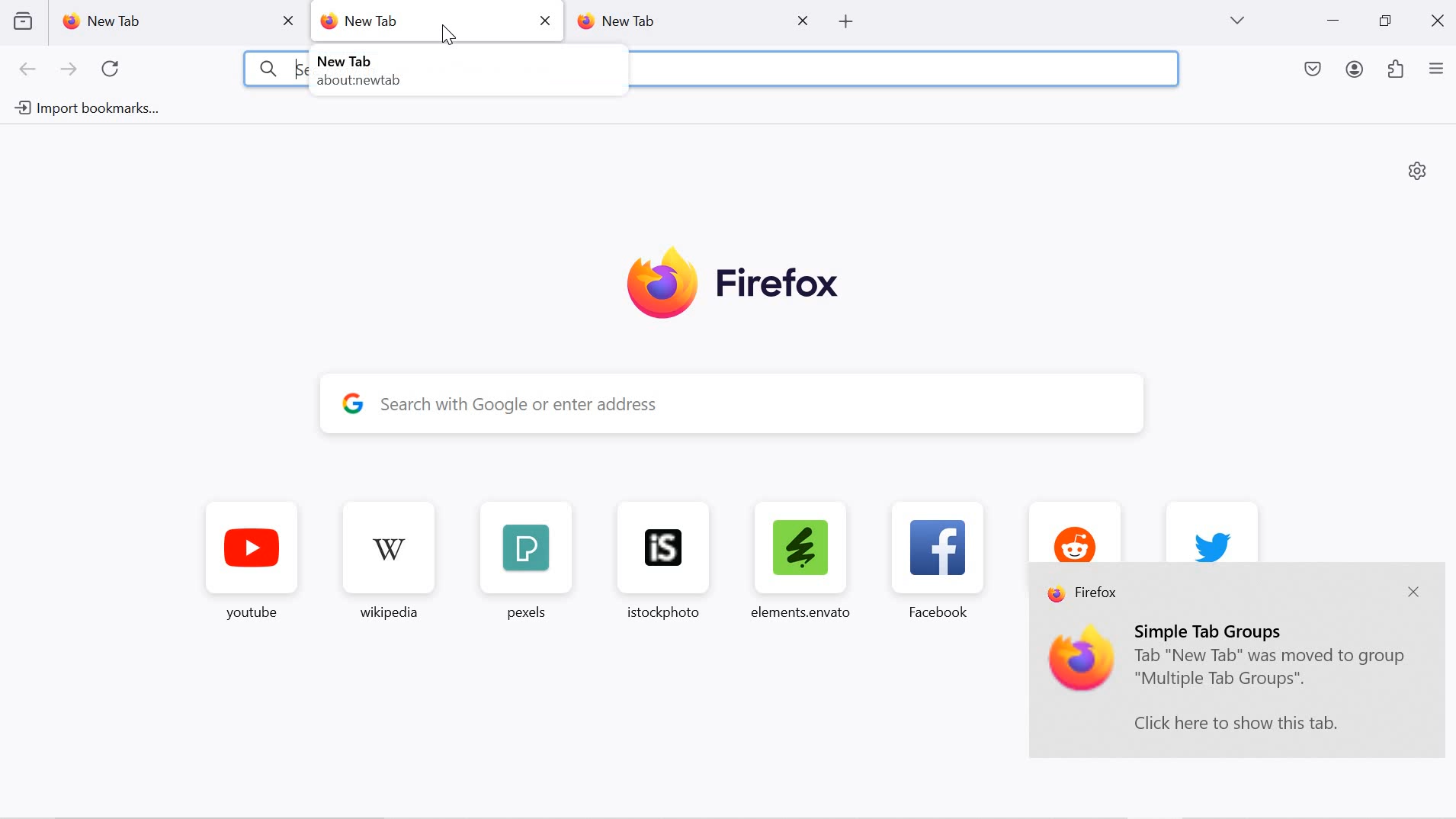 This screenshot has width=1456, height=819. I want to click on click here to show this tab, so click(1236, 723).